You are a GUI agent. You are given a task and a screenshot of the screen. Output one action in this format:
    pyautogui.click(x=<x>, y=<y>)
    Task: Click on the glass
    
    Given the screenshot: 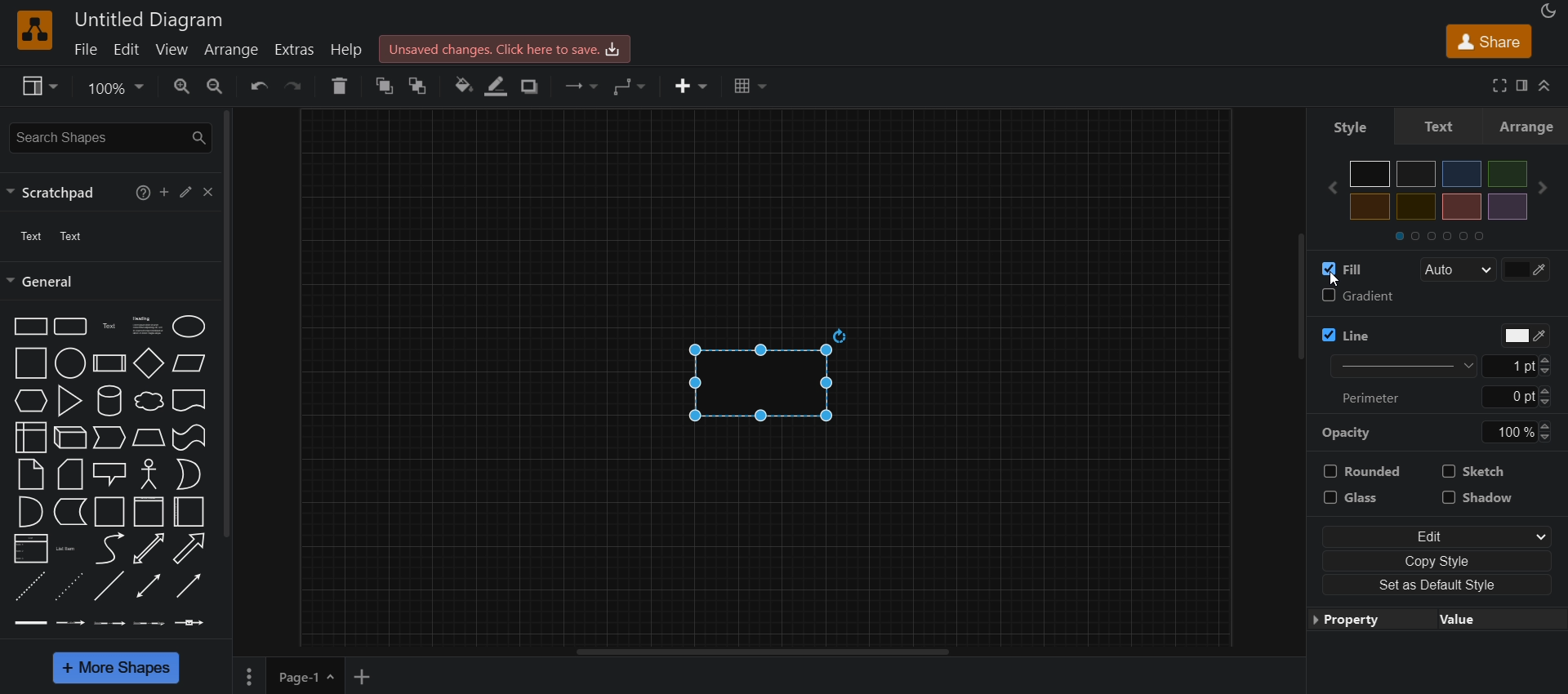 What is the action you would take?
    pyautogui.click(x=1363, y=496)
    